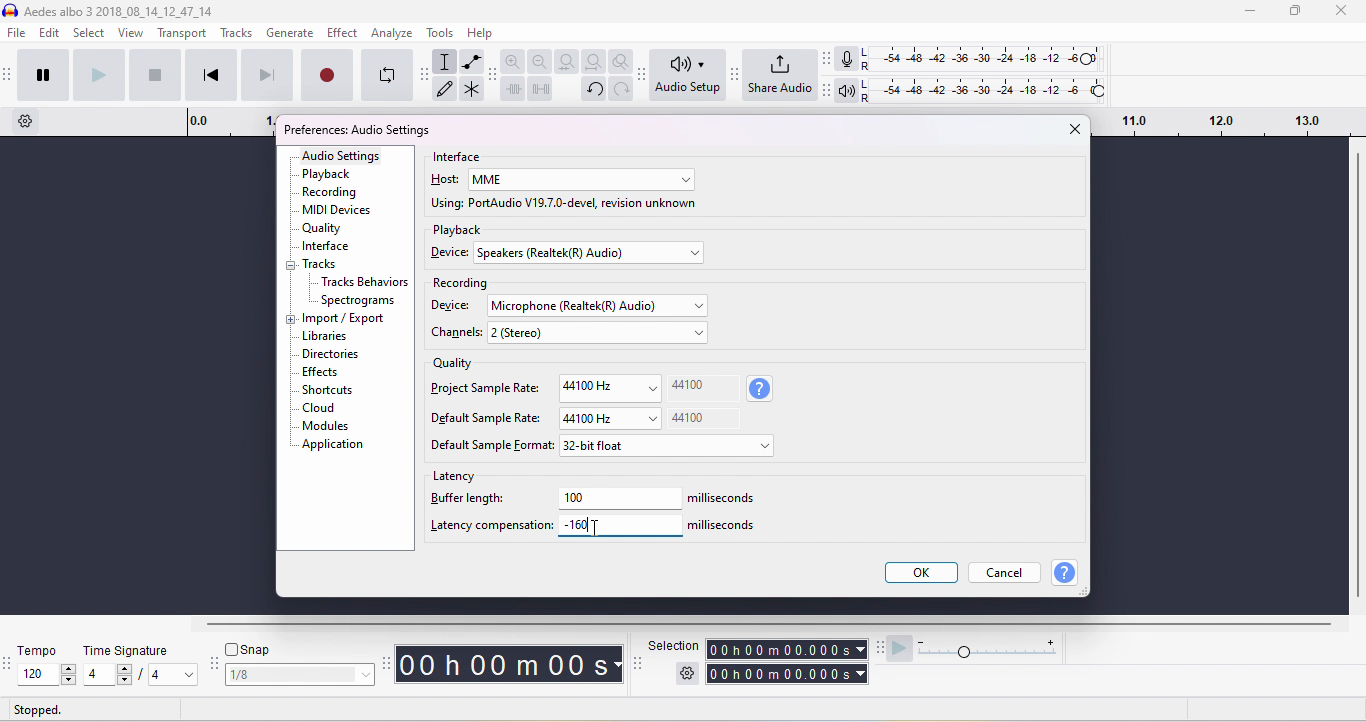 The width and height of the screenshot is (1366, 722). What do you see at coordinates (457, 475) in the screenshot?
I see `latency` at bounding box center [457, 475].